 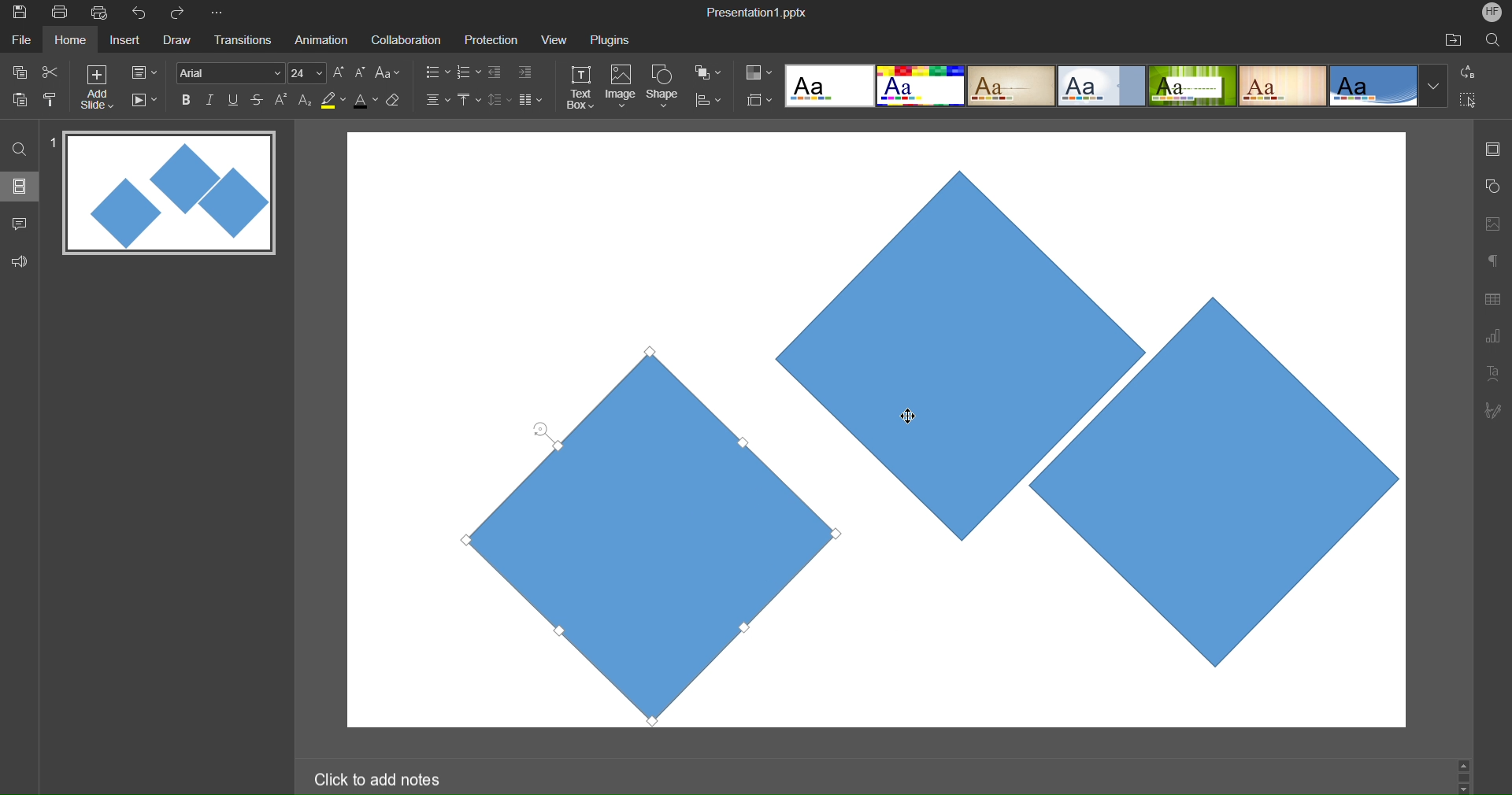 I want to click on Redo, so click(x=183, y=13).